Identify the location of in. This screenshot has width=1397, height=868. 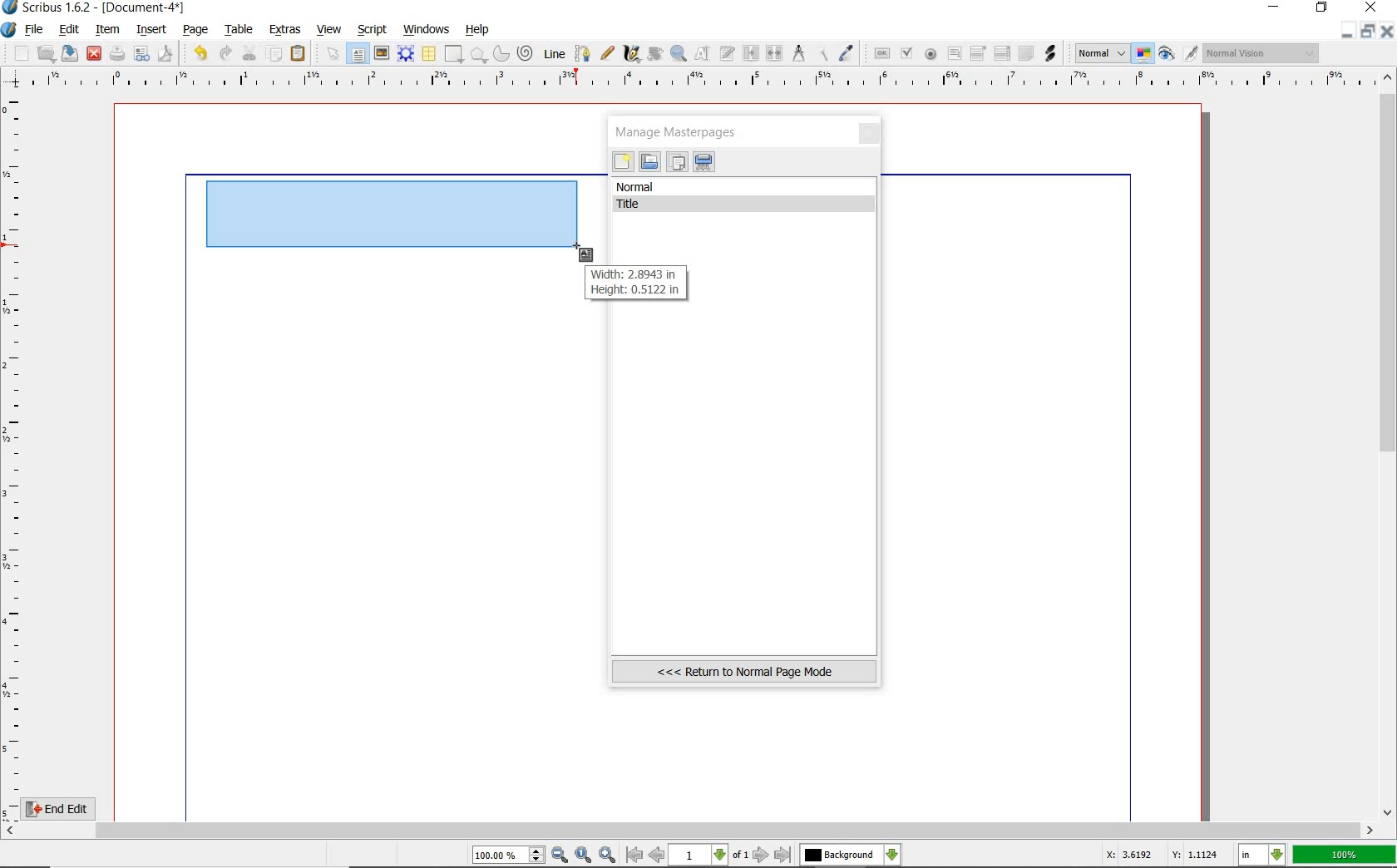
(1262, 856).